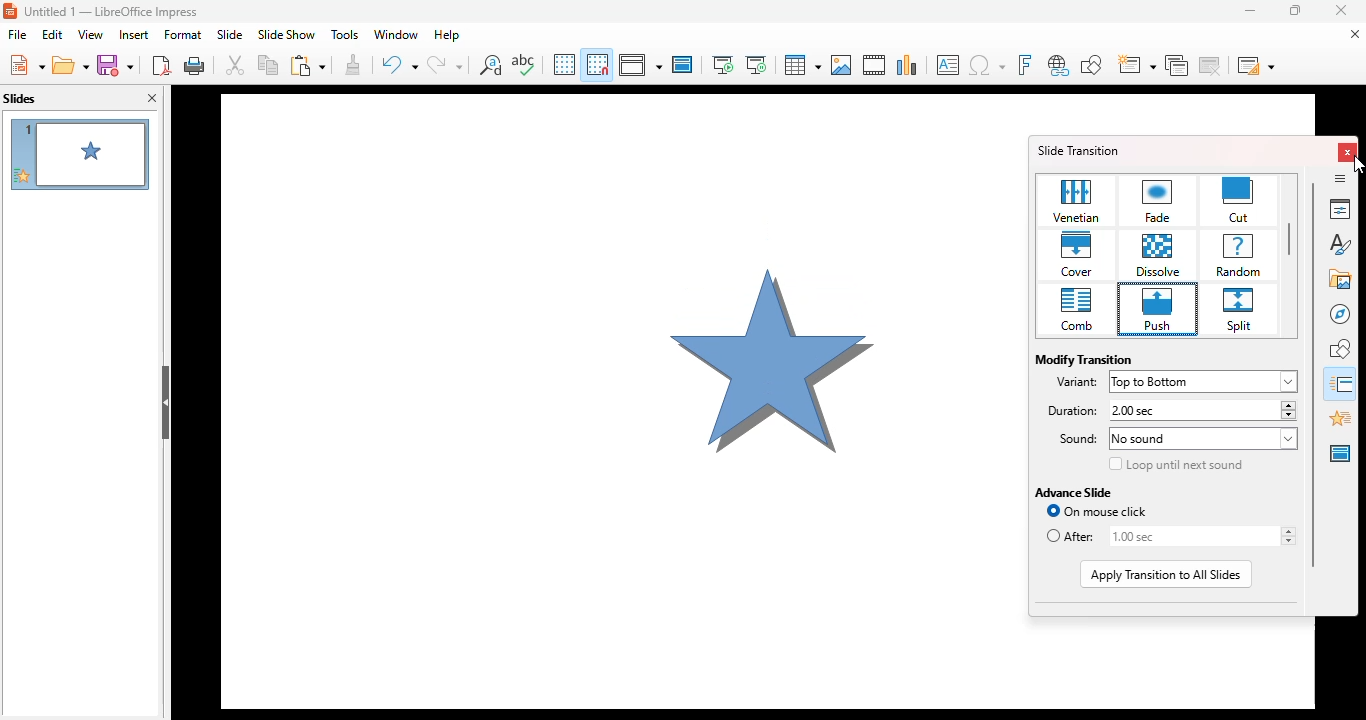  I want to click on navigator, so click(1340, 314).